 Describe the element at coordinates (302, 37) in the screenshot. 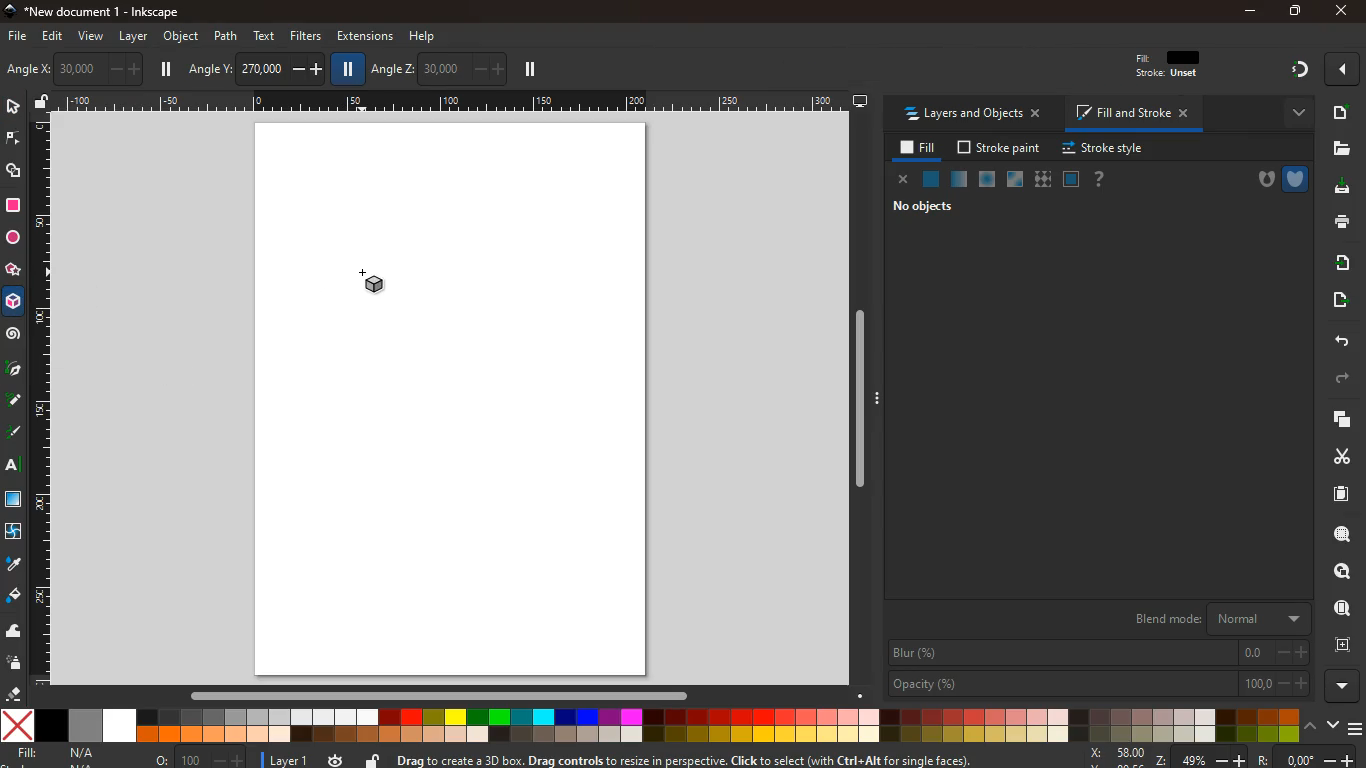

I see `filters` at that location.